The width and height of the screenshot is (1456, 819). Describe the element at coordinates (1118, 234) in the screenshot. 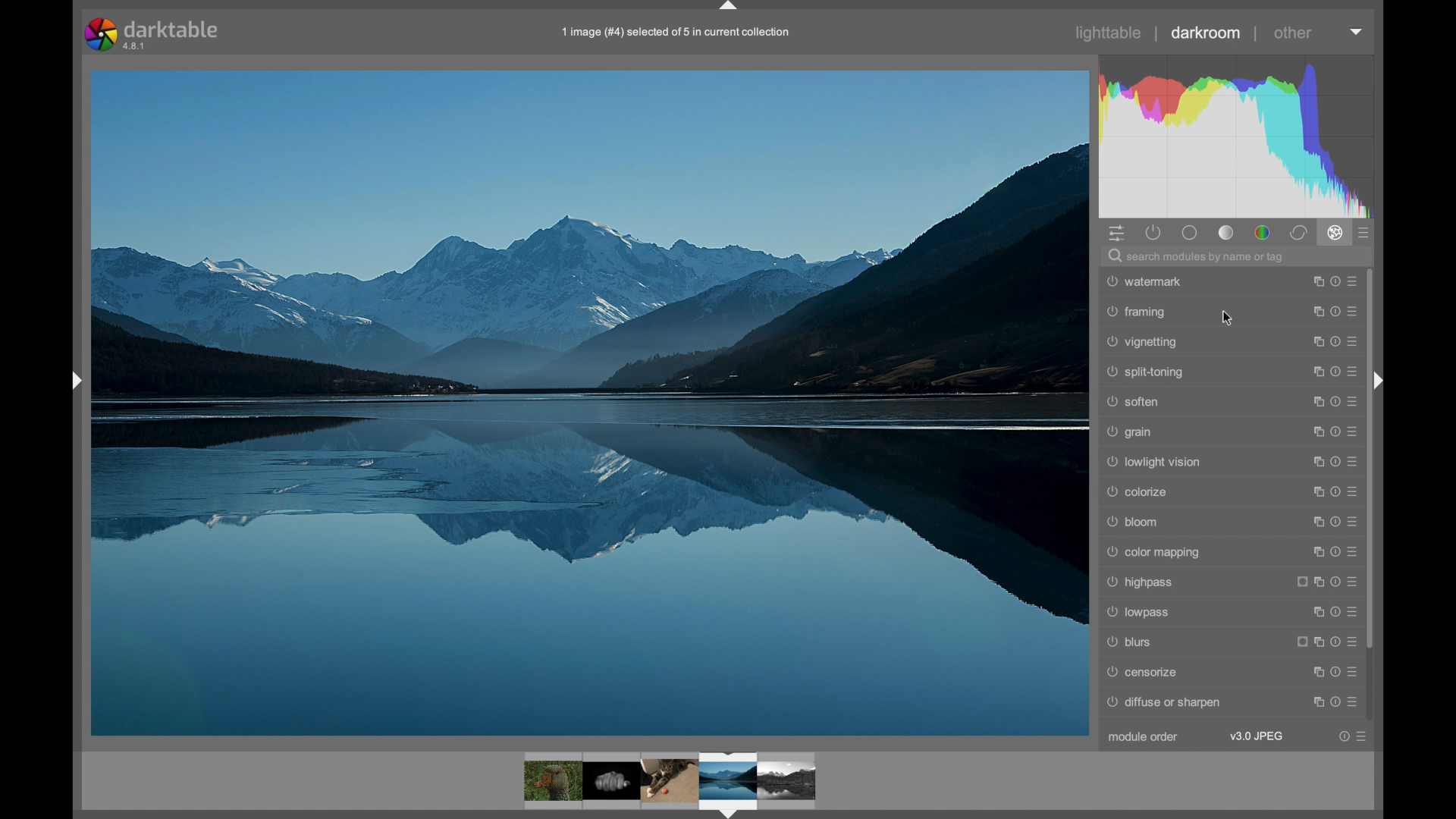

I see `quick access panel` at that location.